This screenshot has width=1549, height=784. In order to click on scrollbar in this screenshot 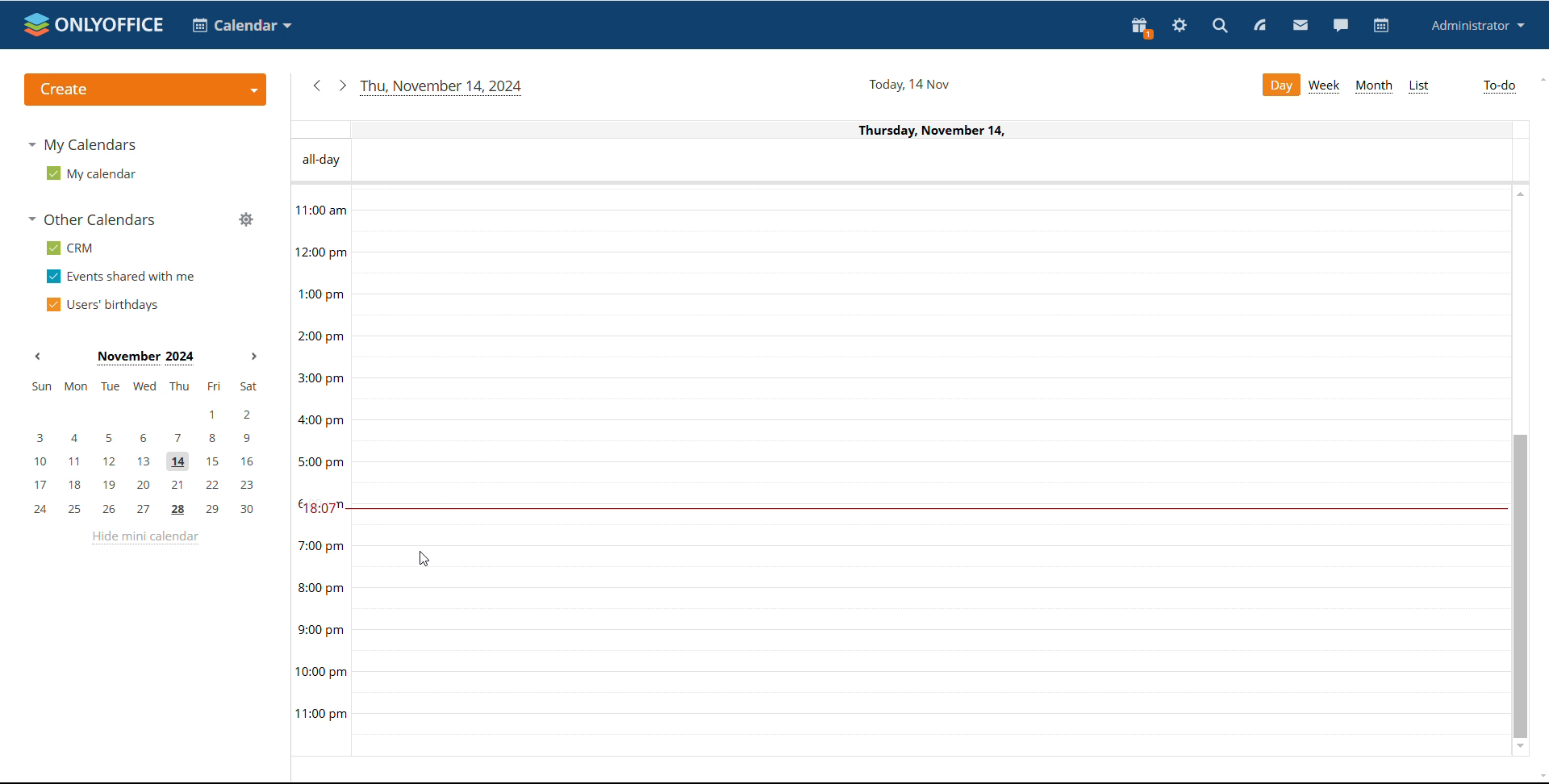, I will do `click(1520, 586)`.